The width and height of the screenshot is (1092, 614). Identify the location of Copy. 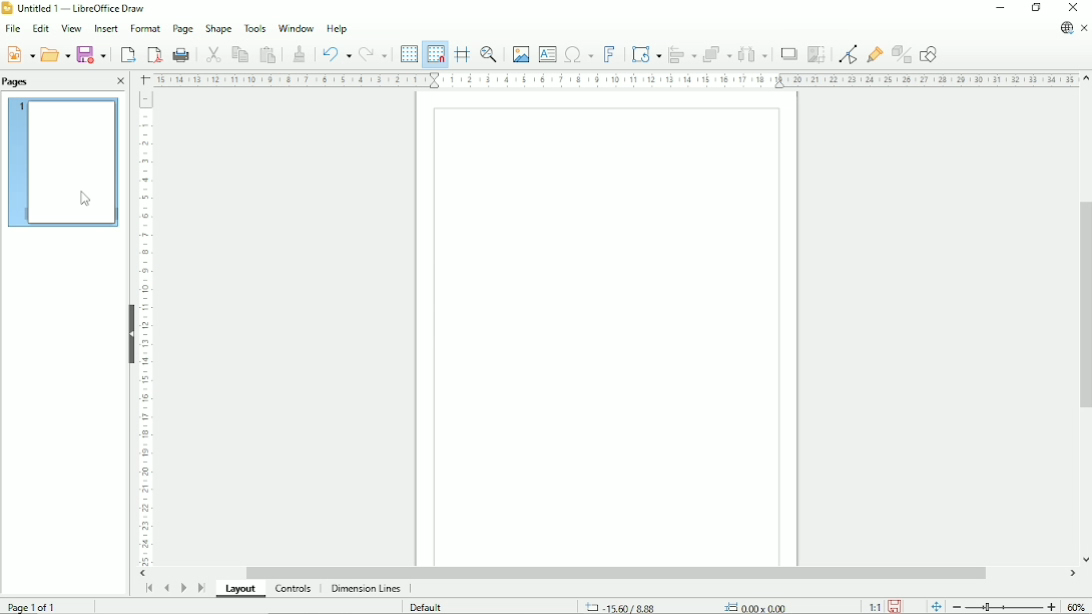
(239, 53).